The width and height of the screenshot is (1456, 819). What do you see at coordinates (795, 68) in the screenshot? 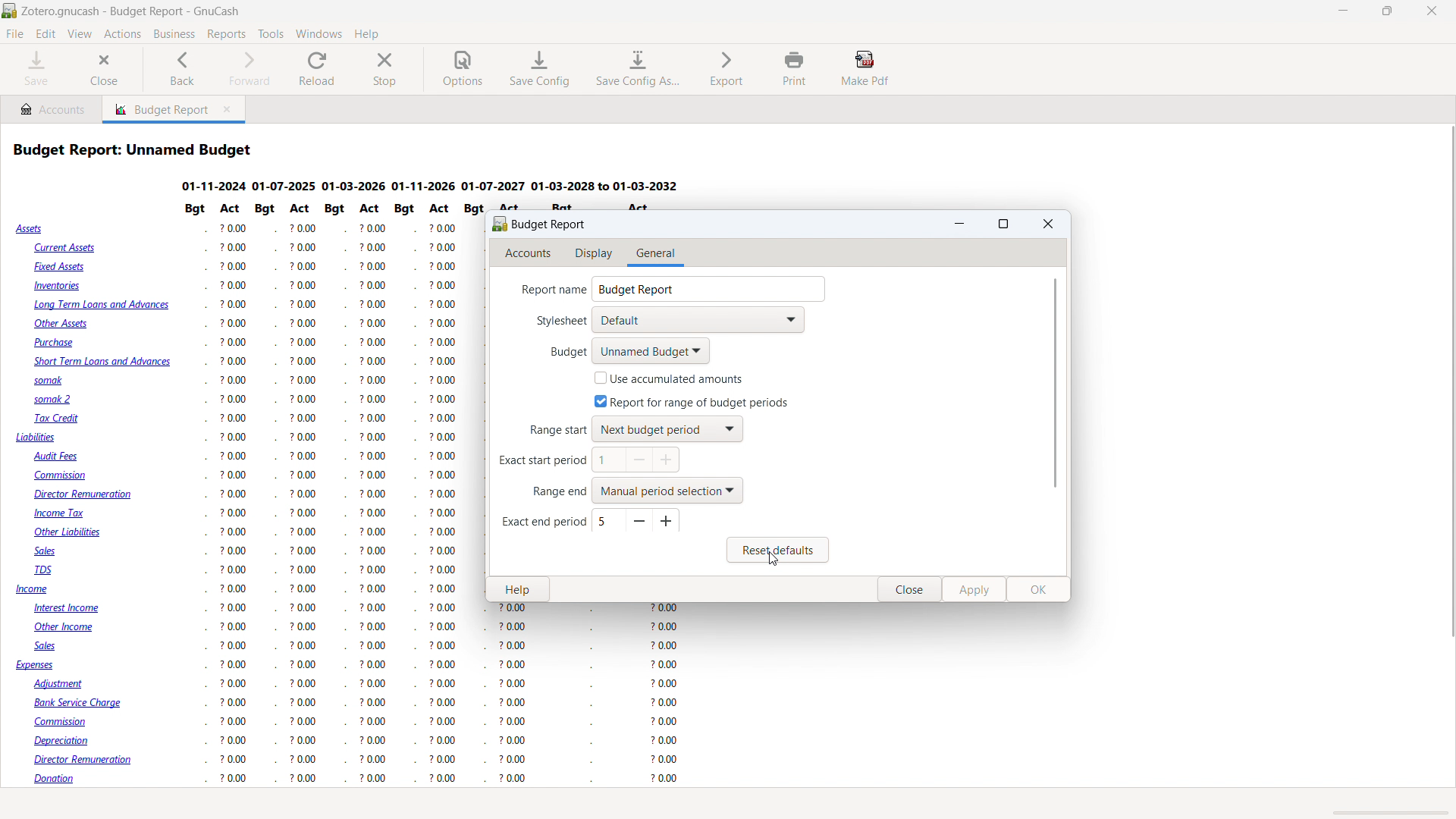
I see `print` at bounding box center [795, 68].